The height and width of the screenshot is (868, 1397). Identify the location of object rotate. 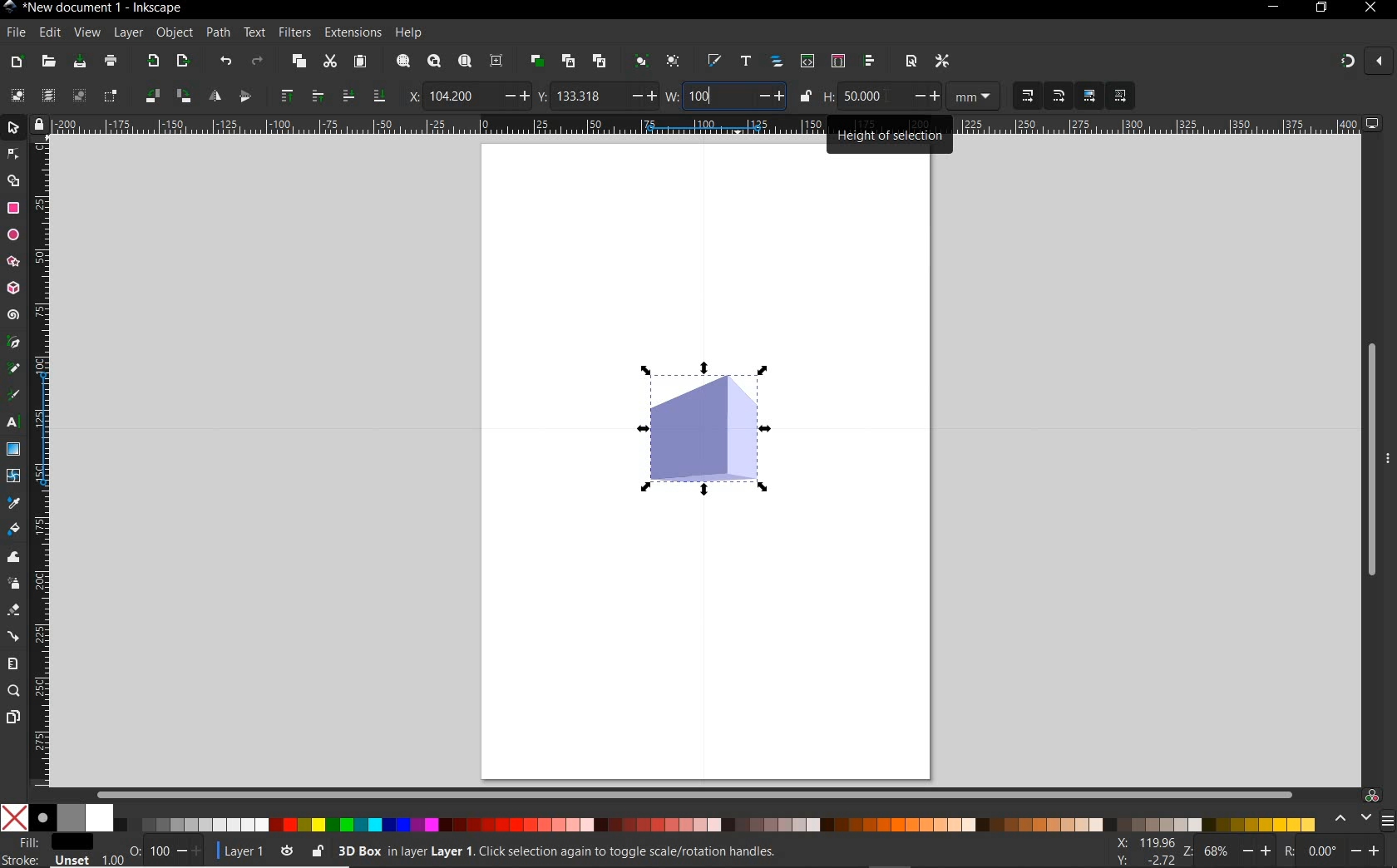
(151, 96).